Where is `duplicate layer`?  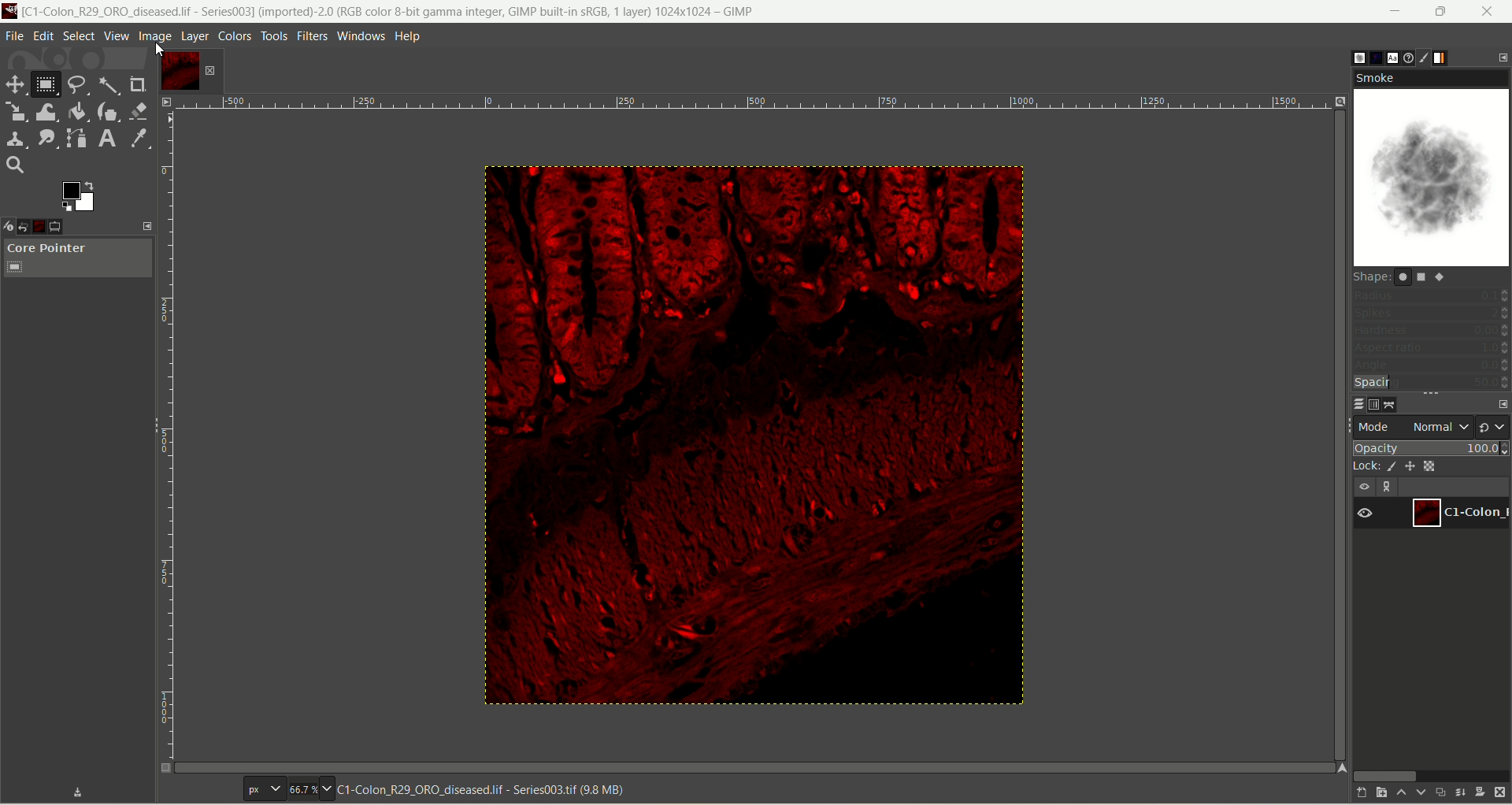
duplicate layer is located at coordinates (1440, 795).